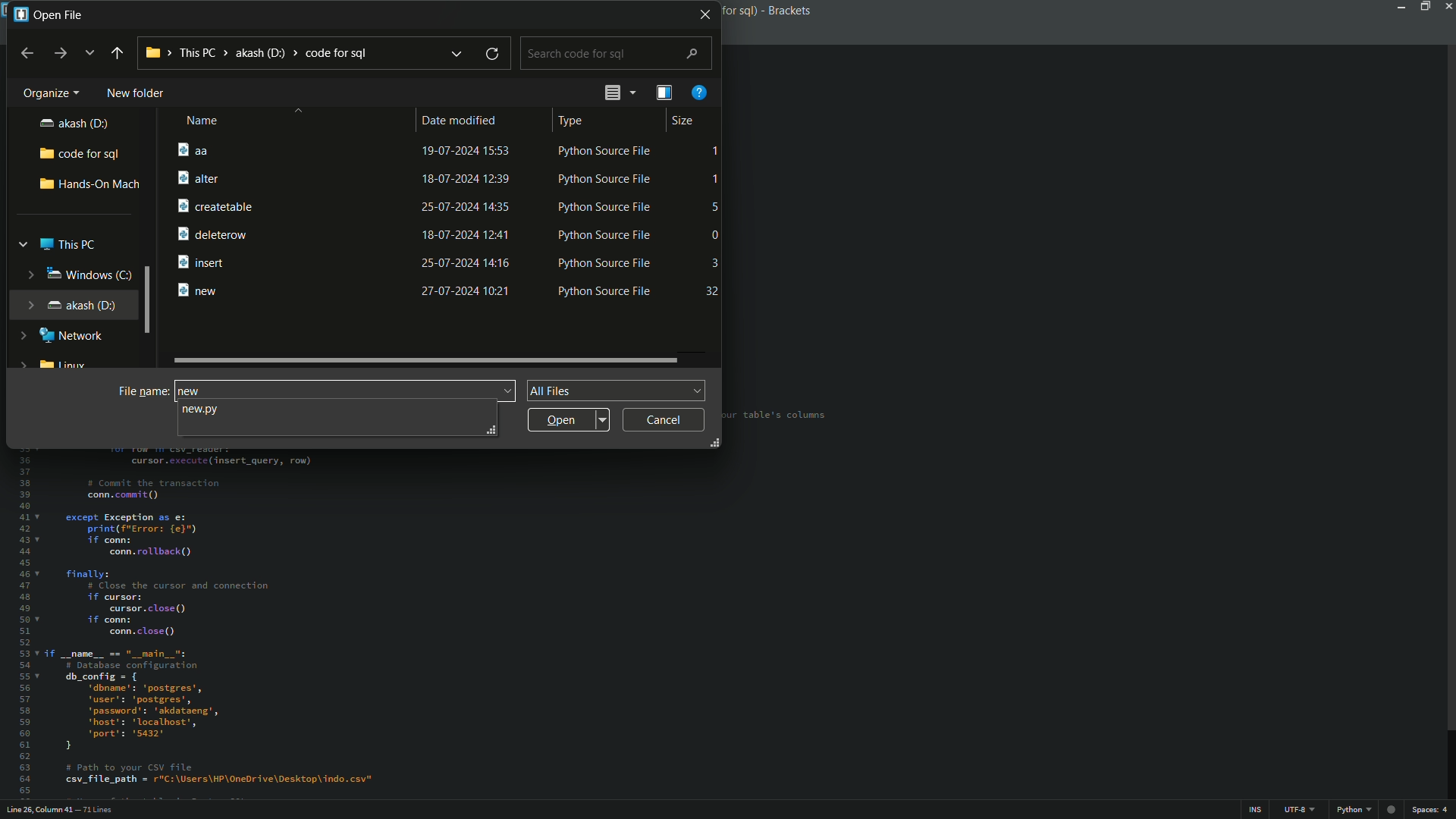 The width and height of the screenshot is (1456, 819). I want to click on show the preview pane, so click(663, 93).